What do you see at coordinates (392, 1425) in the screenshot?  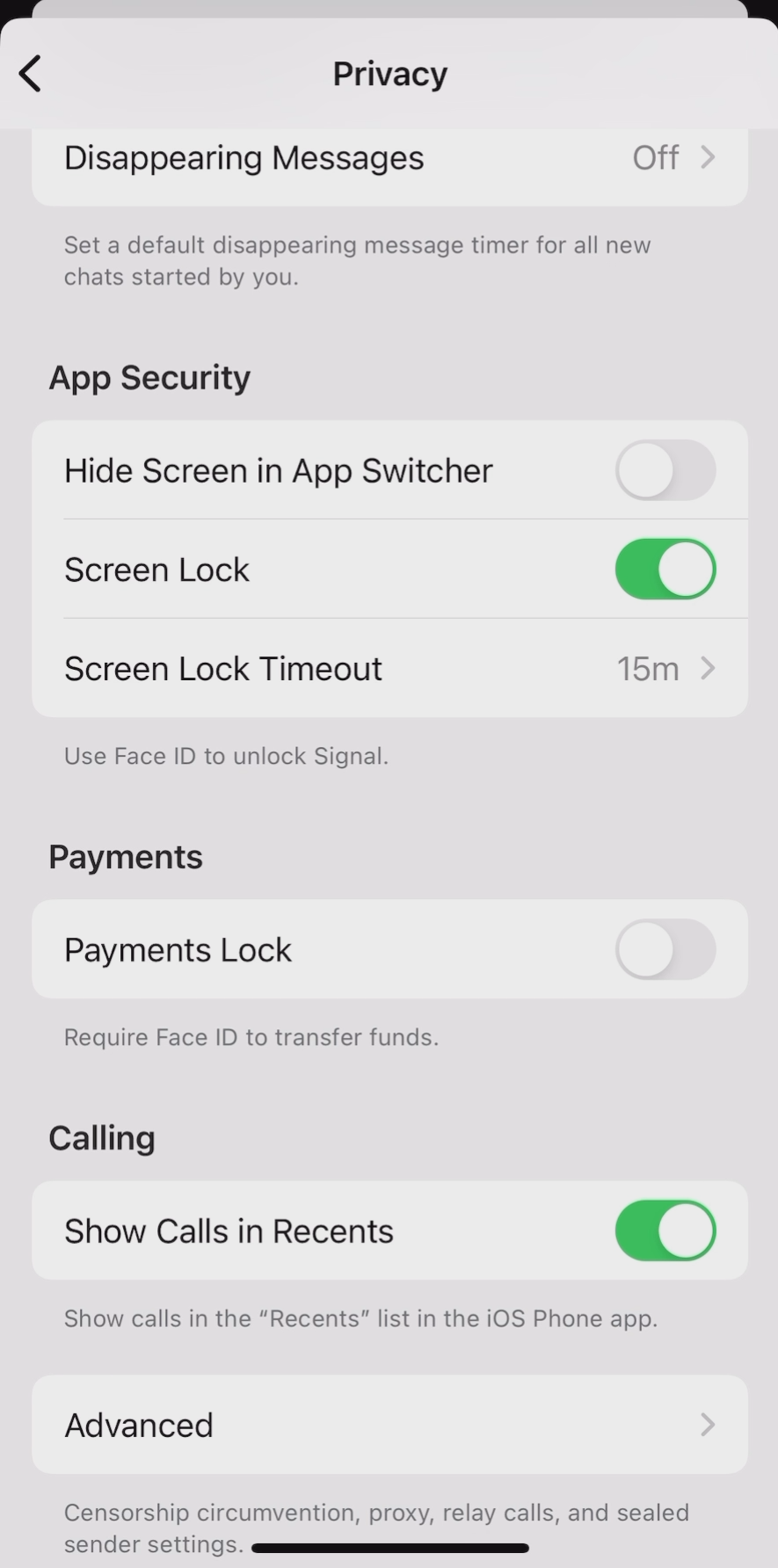 I see `advanced` at bounding box center [392, 1425].